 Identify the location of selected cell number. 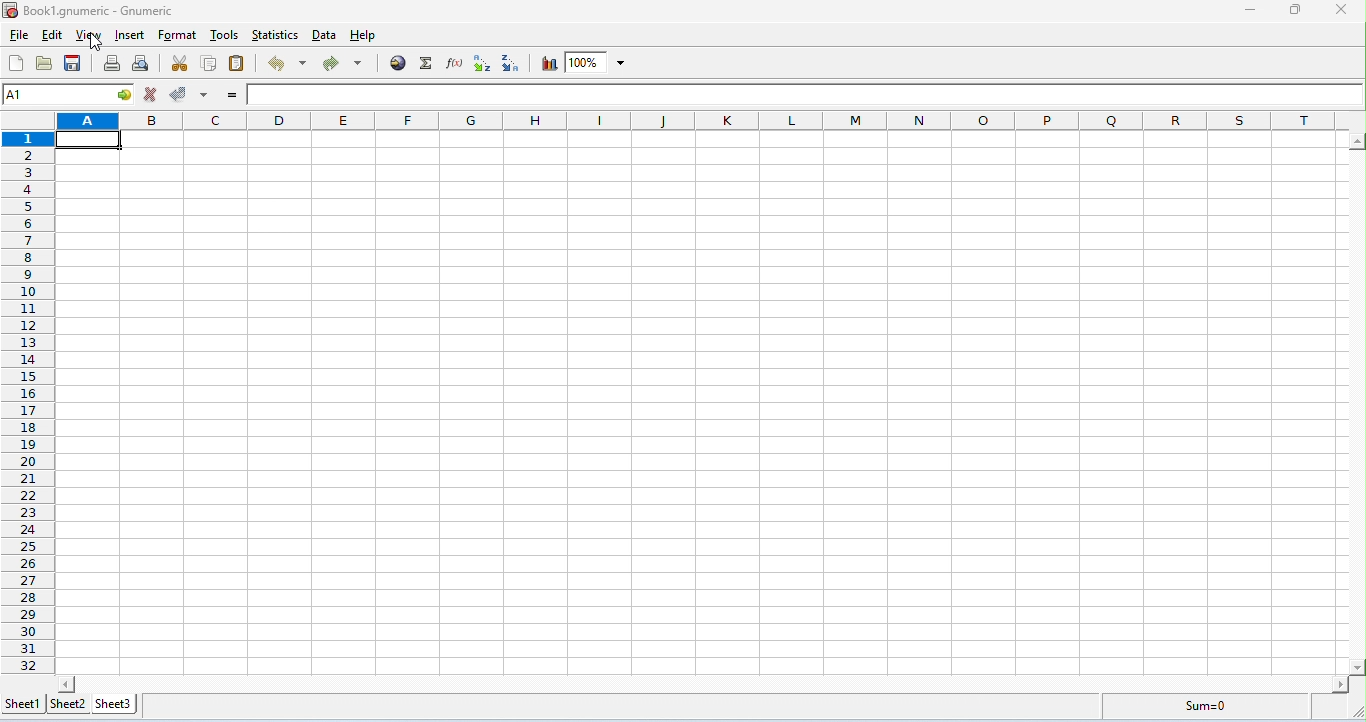
(52, 93).